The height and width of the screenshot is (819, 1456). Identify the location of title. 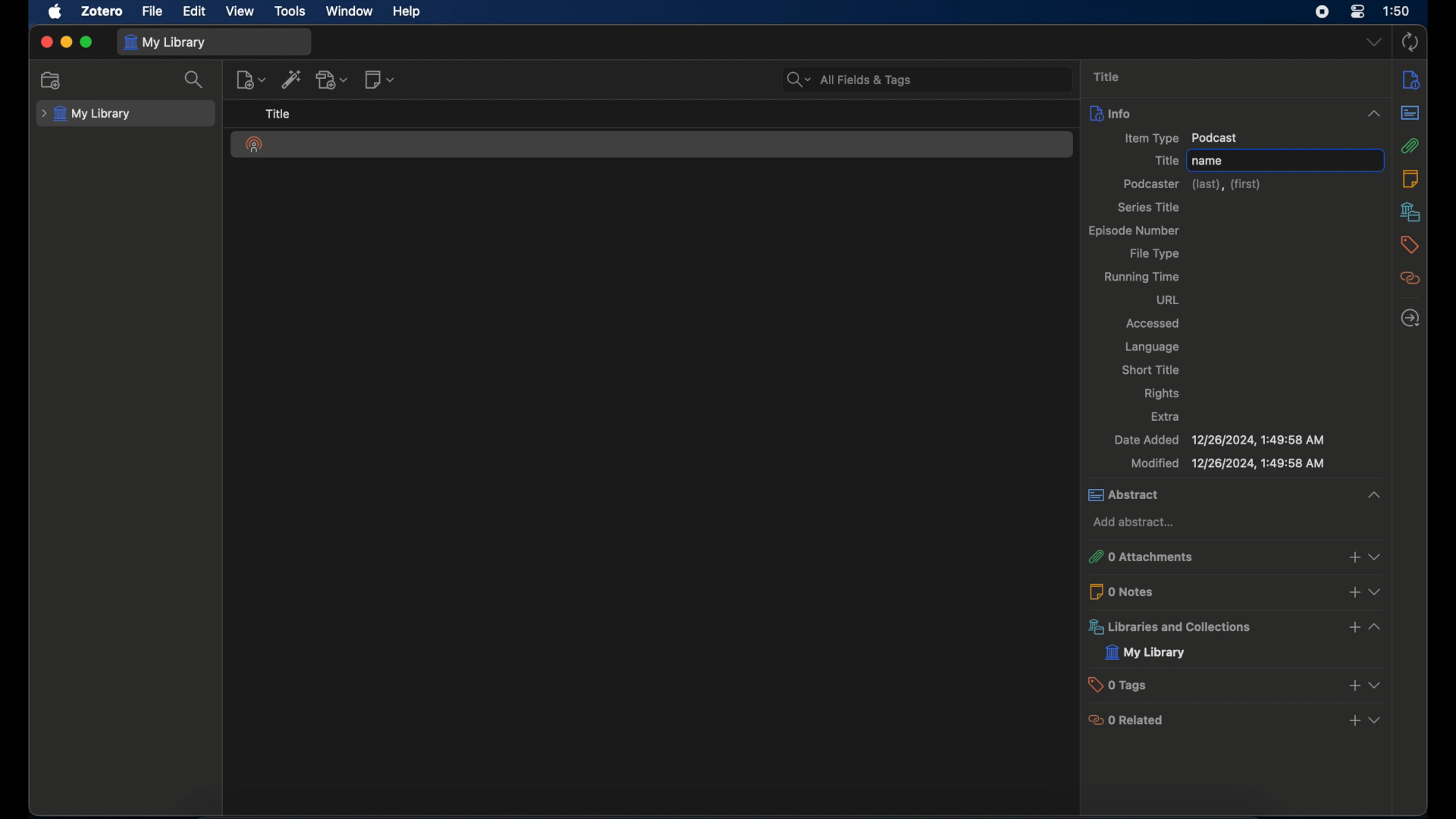
(1109, 76).